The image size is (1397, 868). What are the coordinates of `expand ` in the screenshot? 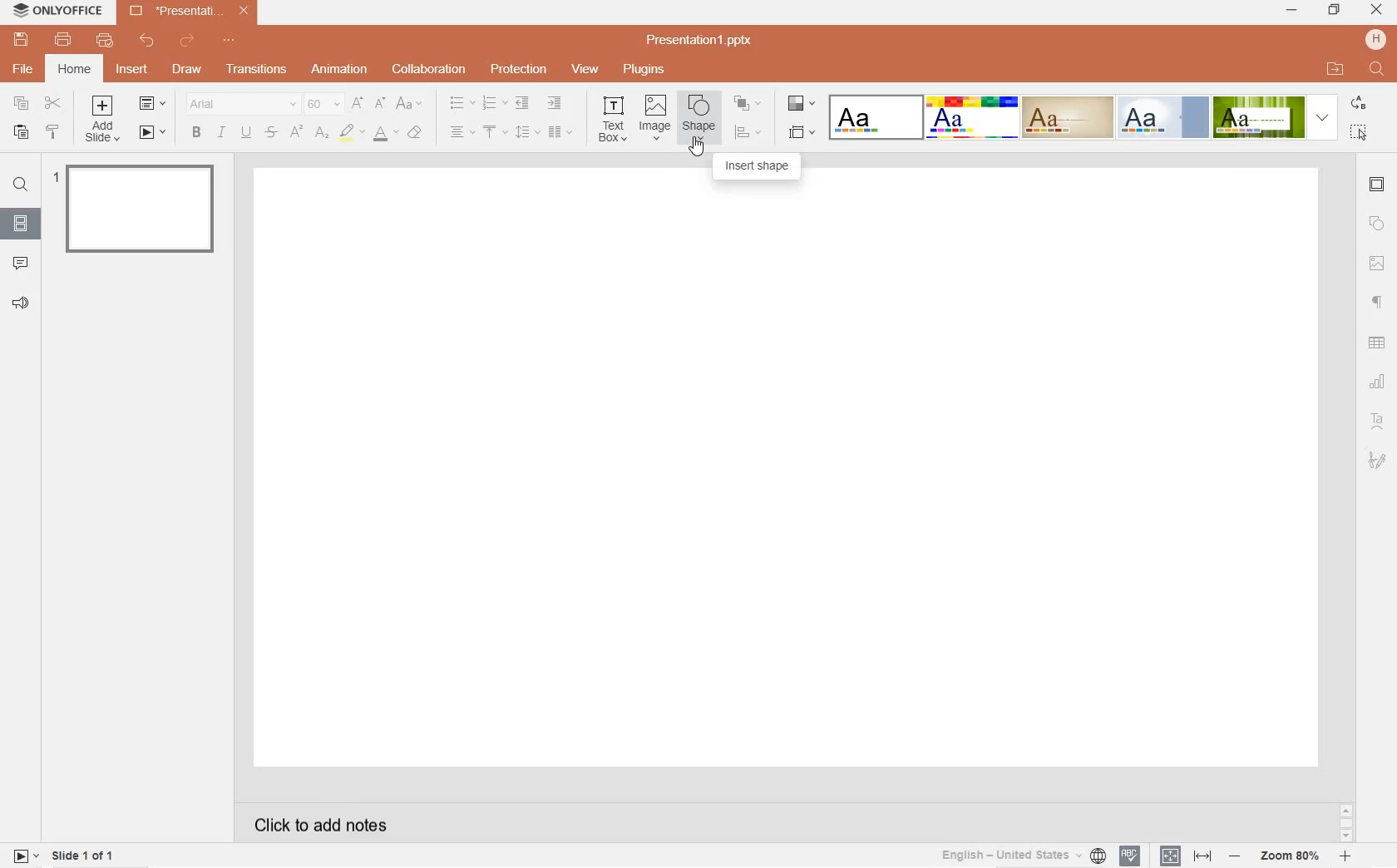 It's located at (1322, 117).